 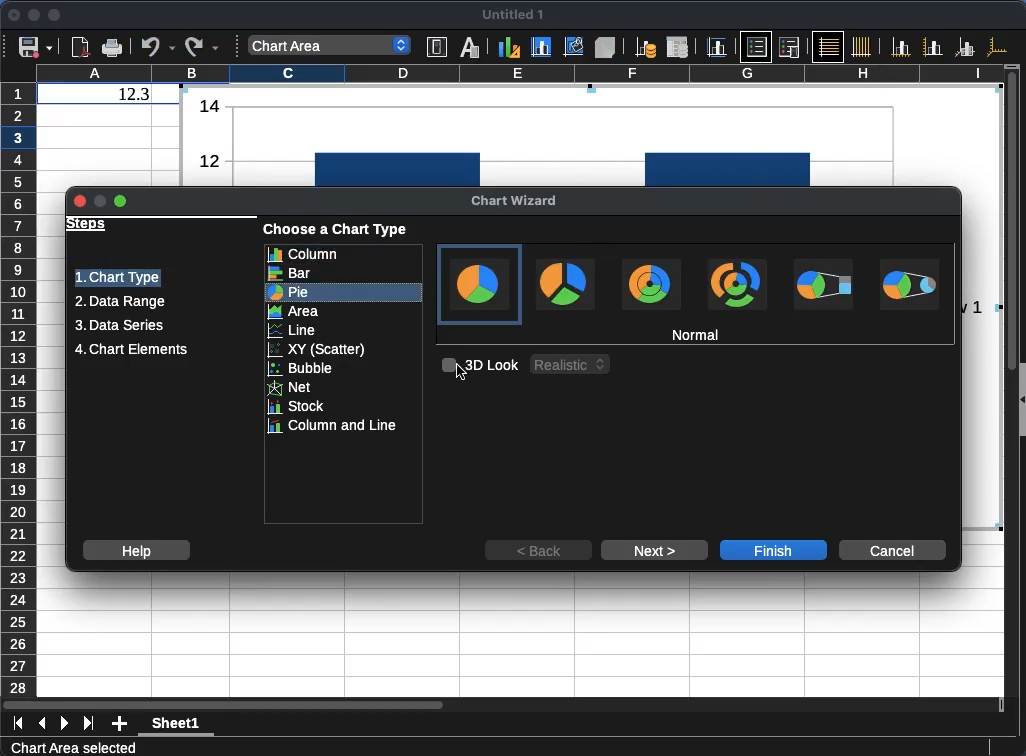 I want to click on next, so click(x=655, y=550).